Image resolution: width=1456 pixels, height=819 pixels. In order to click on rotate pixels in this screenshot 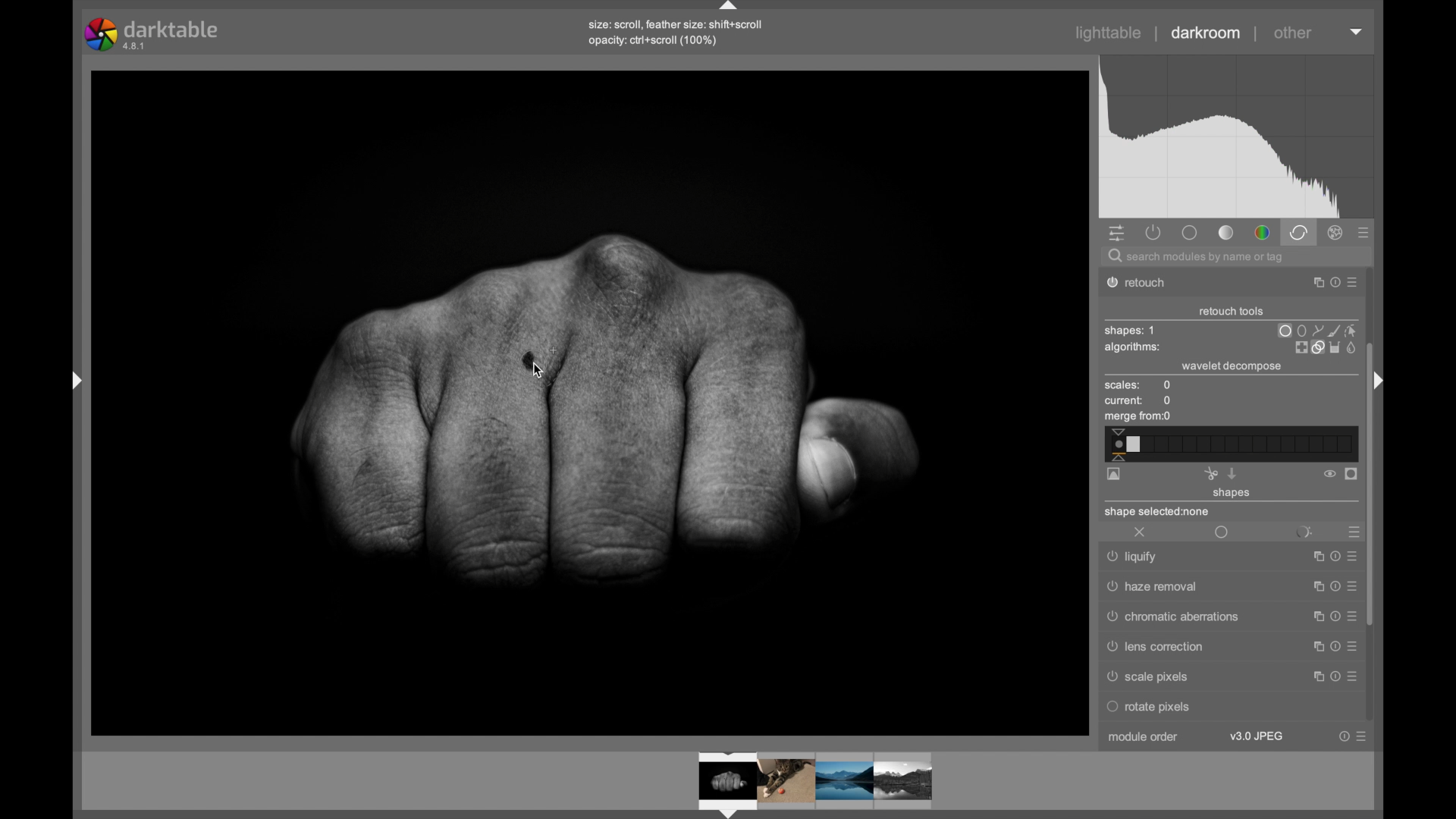, I will do `click(1188, 707)`.